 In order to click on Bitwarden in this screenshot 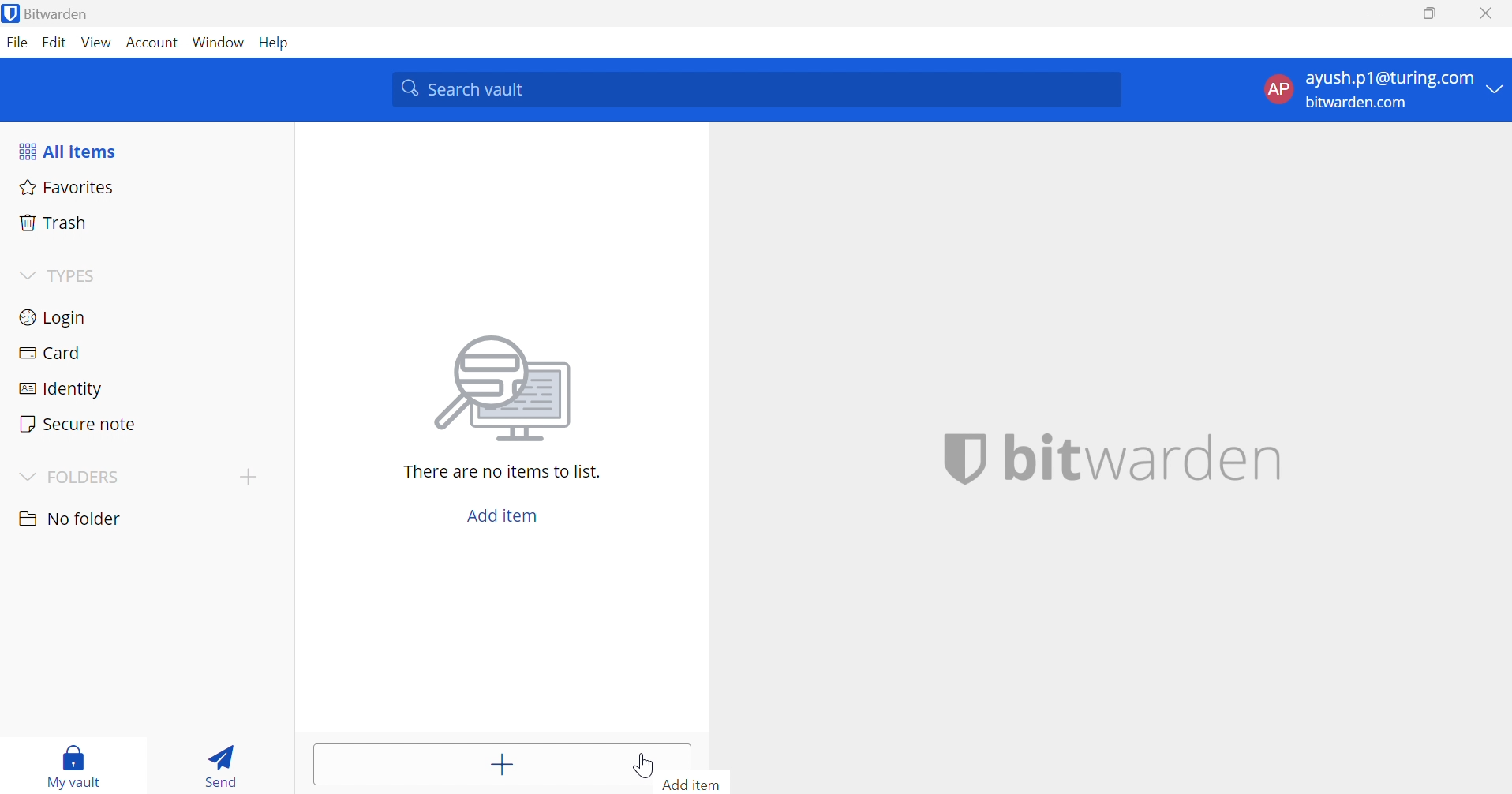, I will do `click(68, 14)`.